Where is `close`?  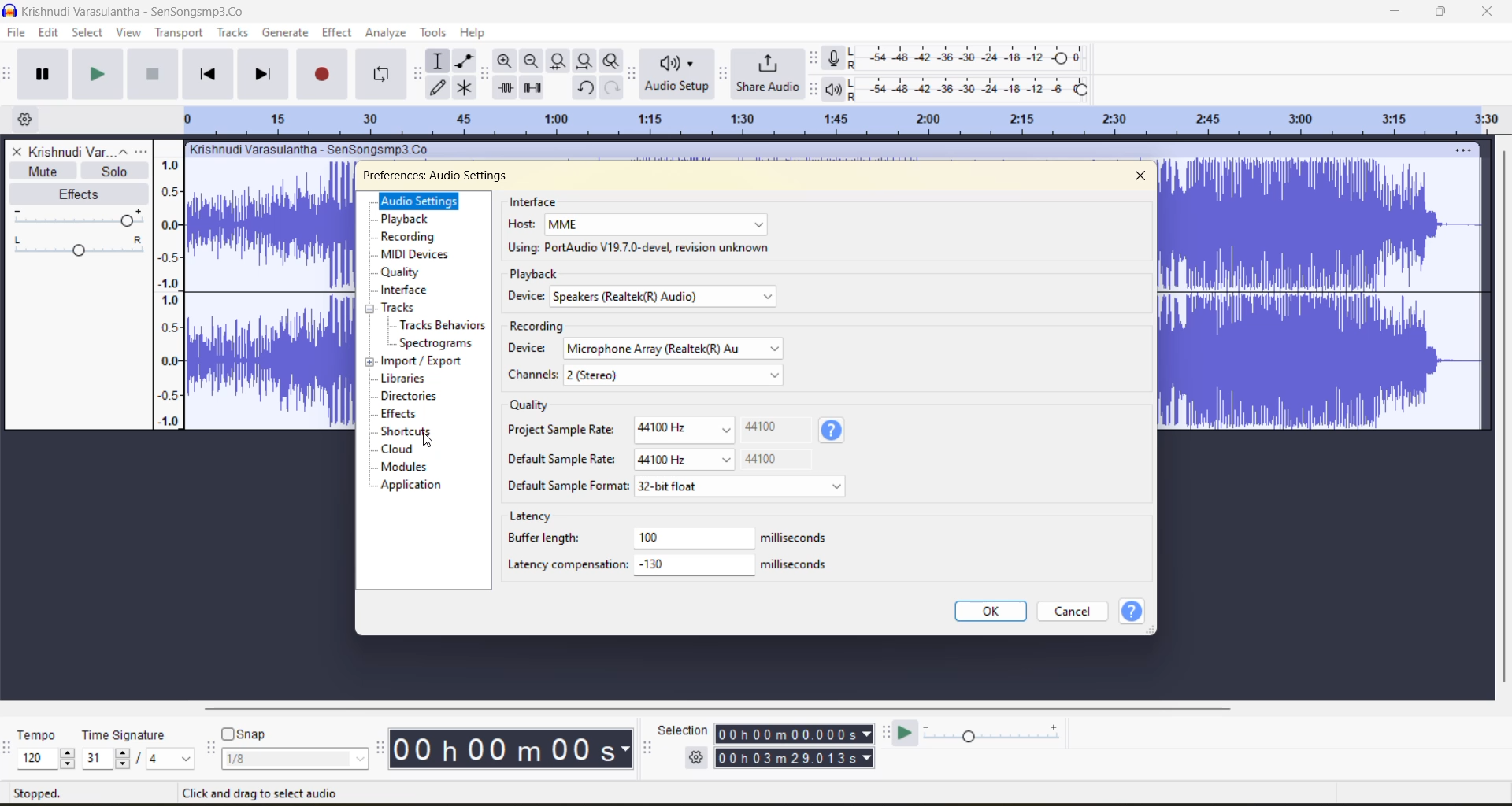
close is located at coordinates (1488, 12).